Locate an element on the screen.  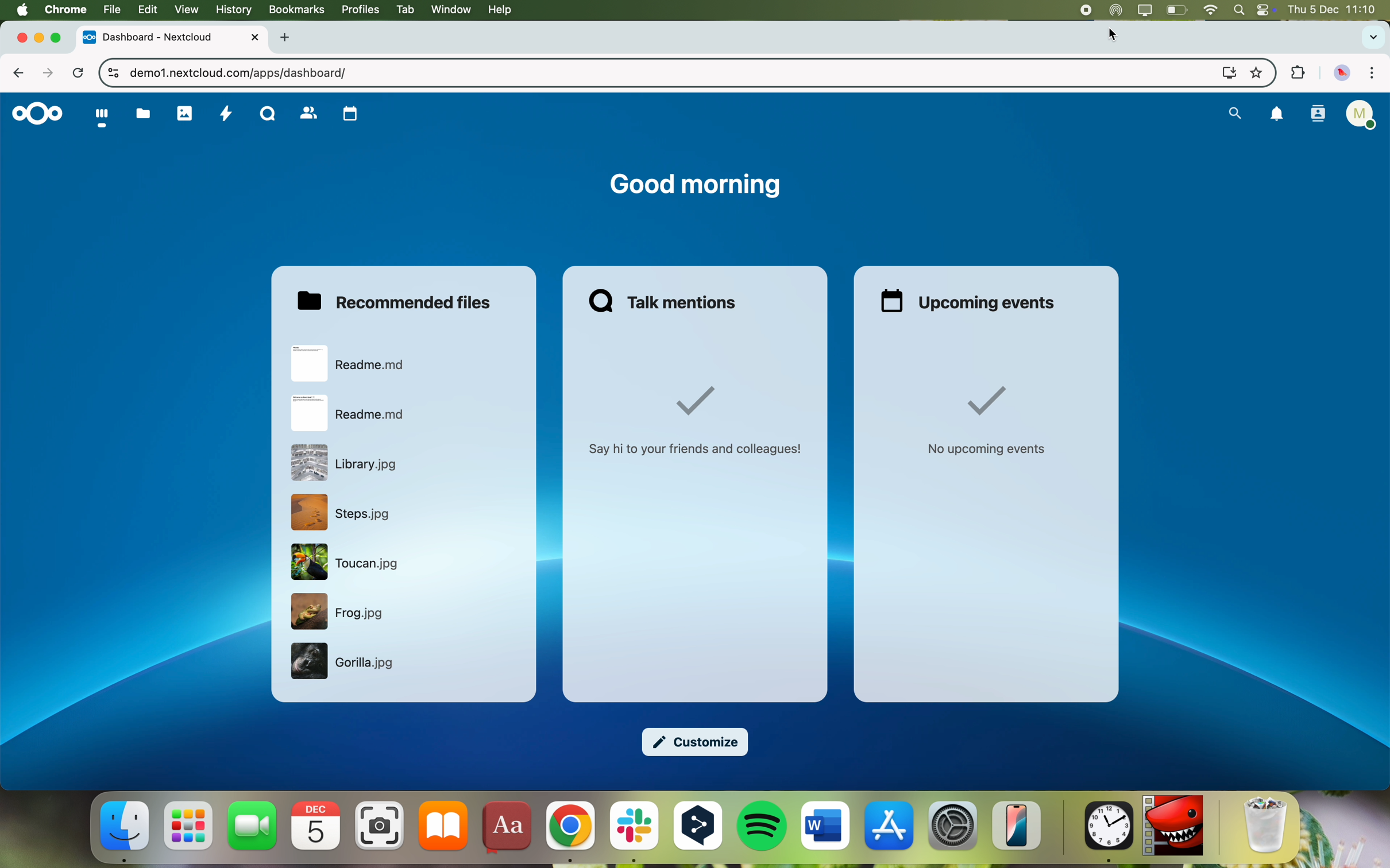
wifi is located at coordinates (1211, 9).